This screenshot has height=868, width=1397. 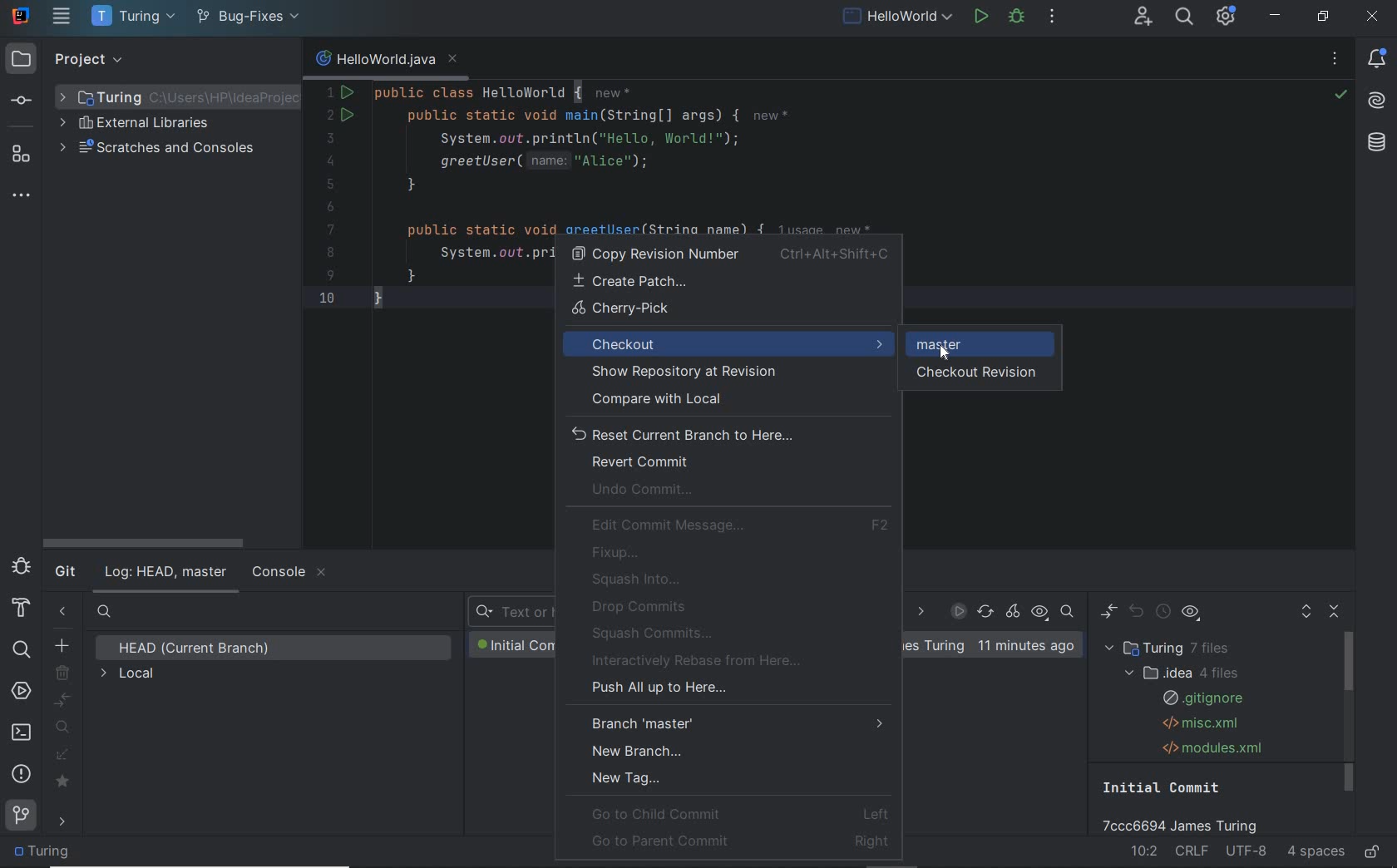 I want to click on expand all, so click(x=1306, y=614).